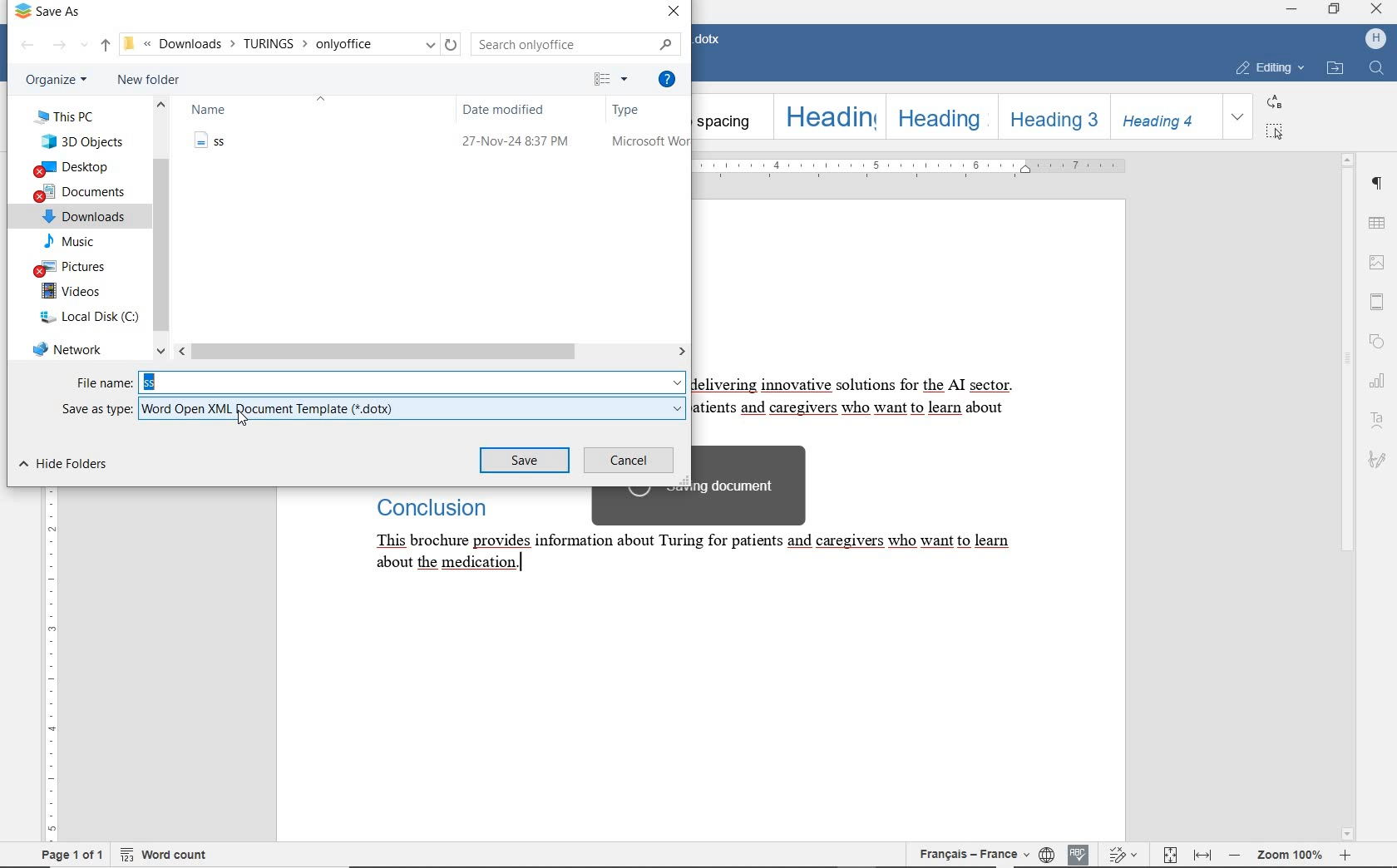 This screenshot has height=868, width=1397. Describe the element at coordinates (524, 461) in the screenshot. I see `SAVE` at that location.